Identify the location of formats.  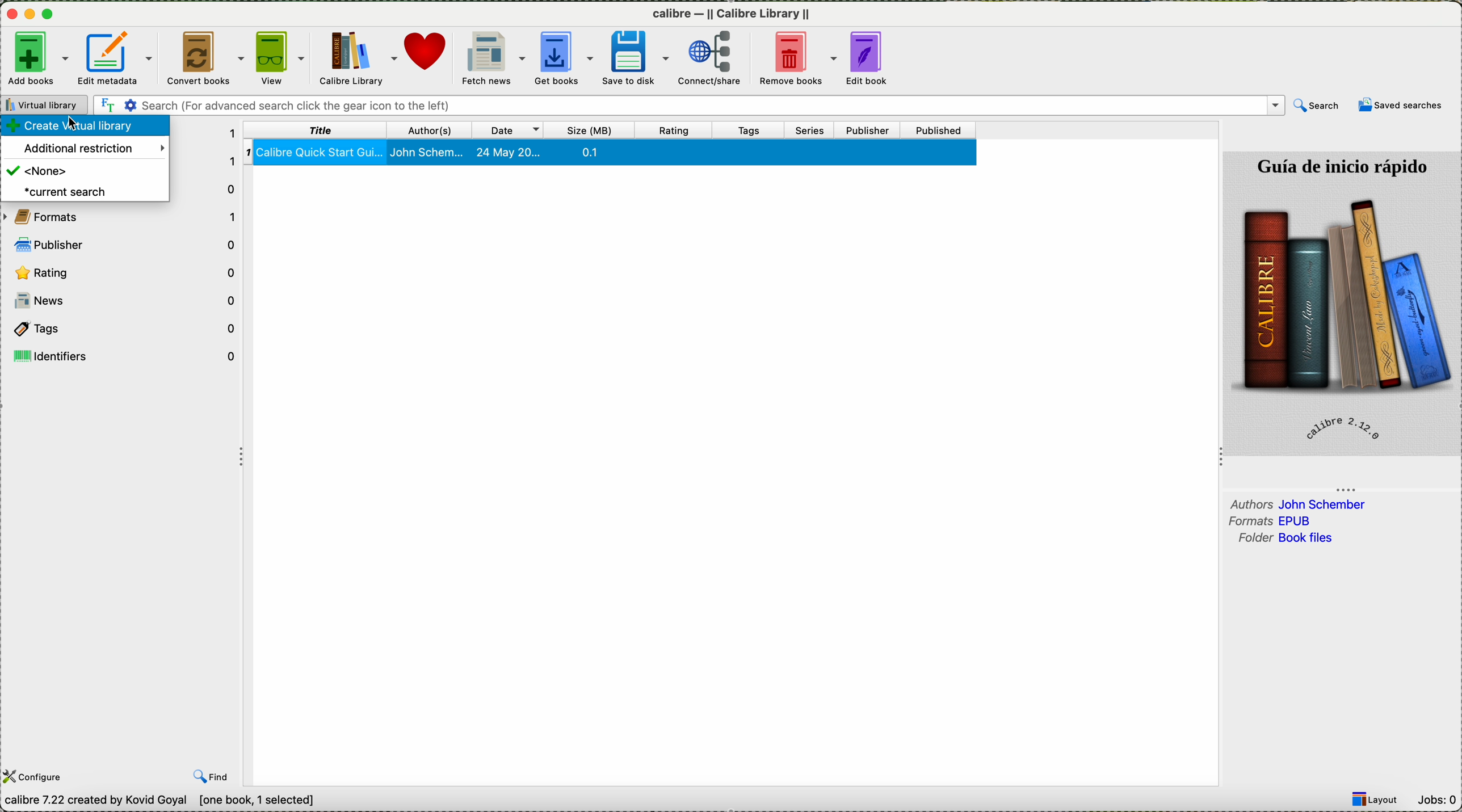
(123, 216).